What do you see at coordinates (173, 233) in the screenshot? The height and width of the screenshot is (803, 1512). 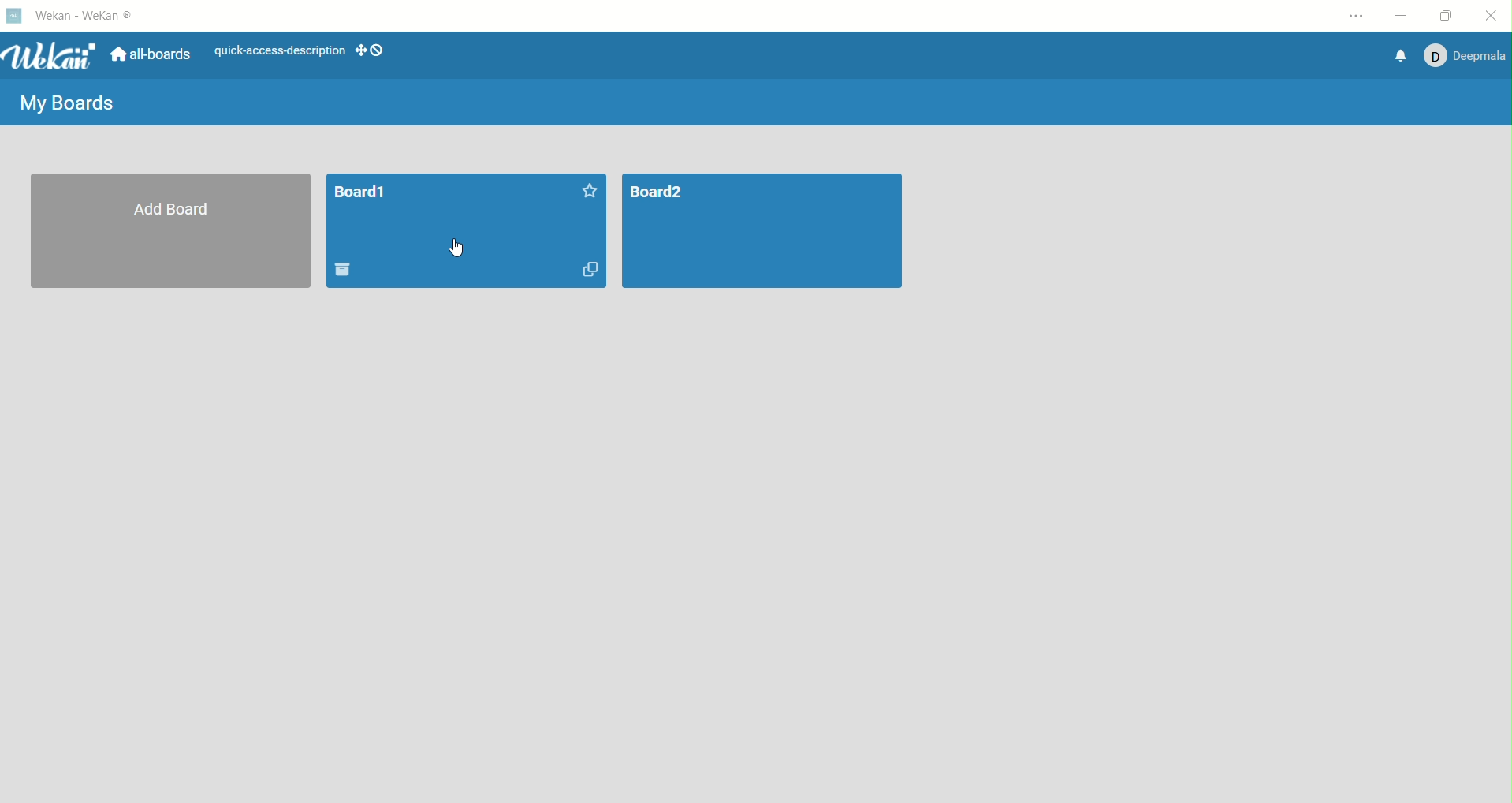 I see `add board` at bounding box center [173, 233].